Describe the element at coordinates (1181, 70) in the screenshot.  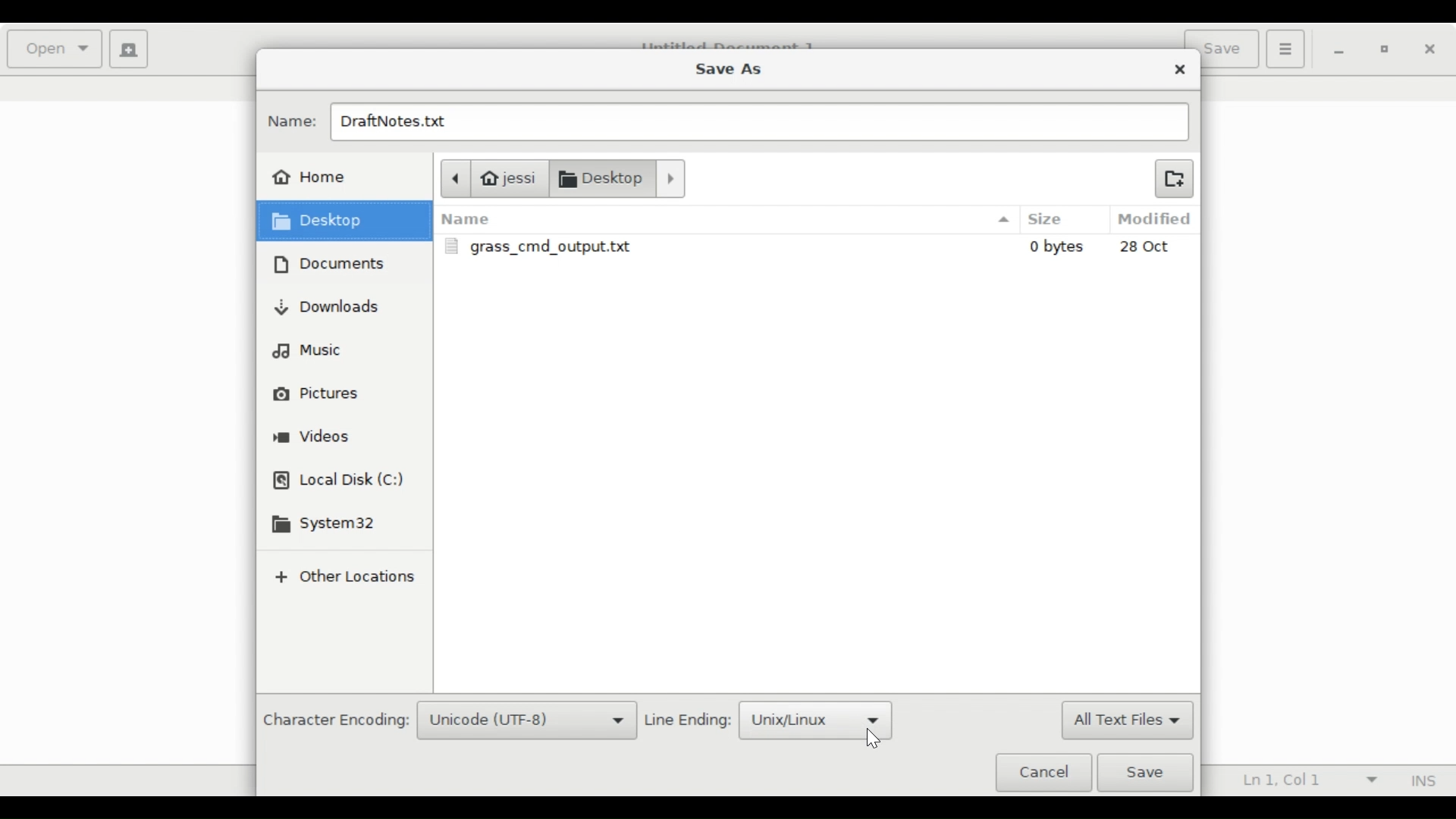
I see `Close` at that location.